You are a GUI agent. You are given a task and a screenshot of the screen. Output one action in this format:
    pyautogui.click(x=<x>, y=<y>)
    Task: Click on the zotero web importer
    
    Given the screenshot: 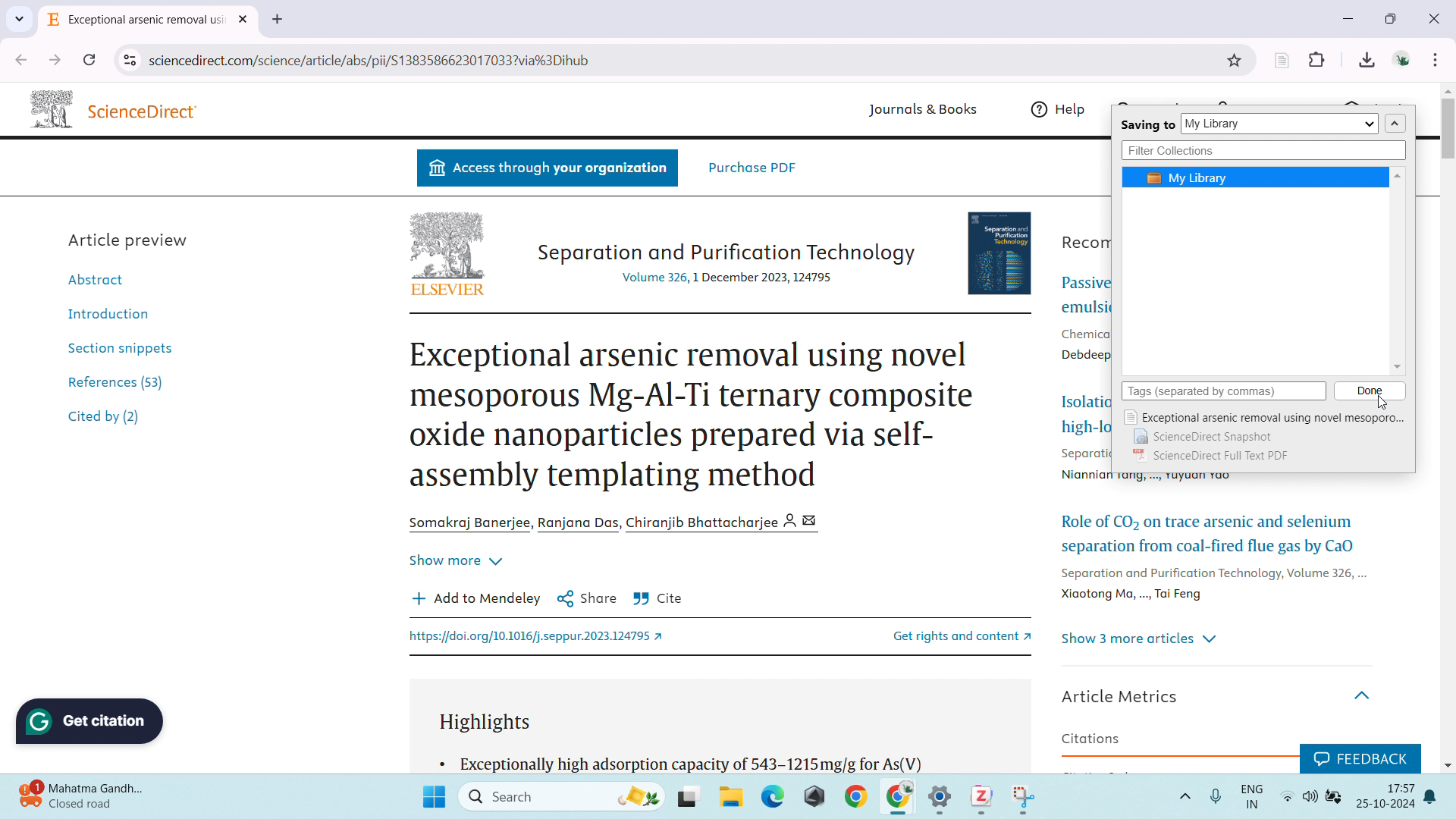 What is the action you would take?
    pyautogui.click(x=1282, y=59)
    